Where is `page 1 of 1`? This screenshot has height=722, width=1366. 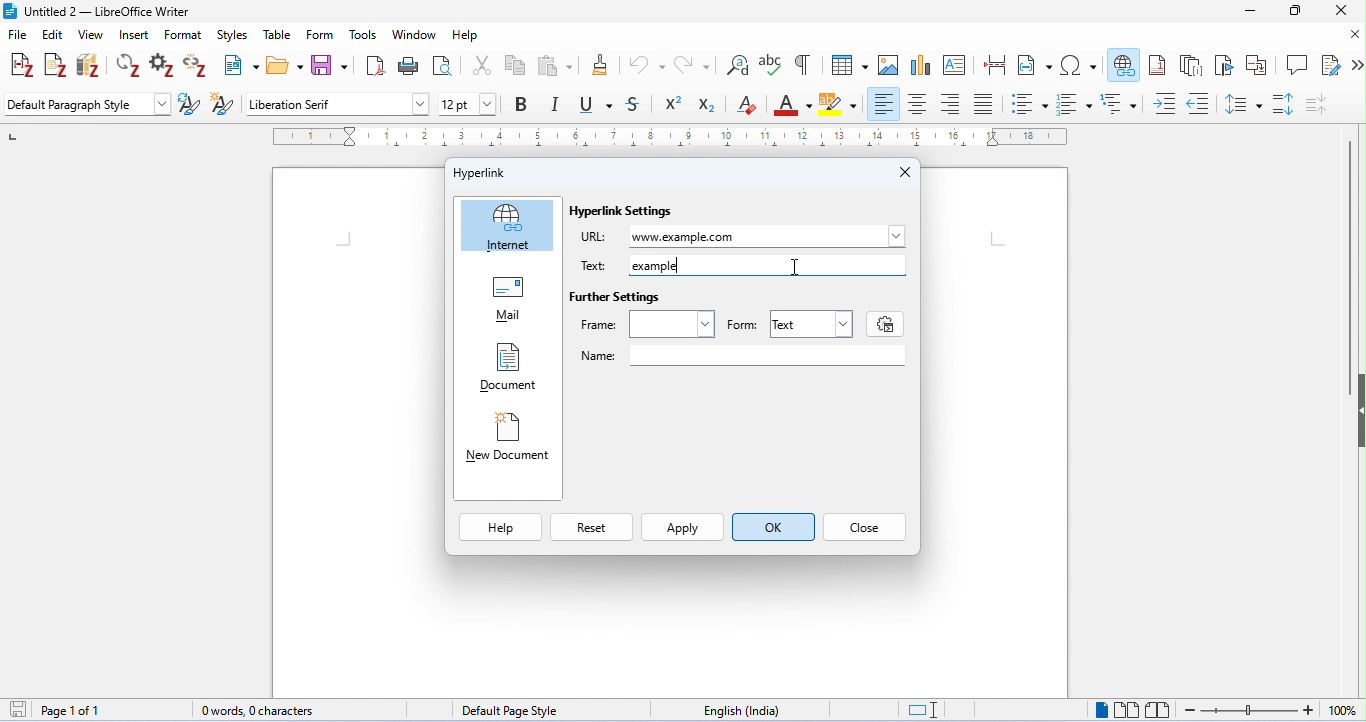
page 1 of 1 is located at coordinates (73, 711).